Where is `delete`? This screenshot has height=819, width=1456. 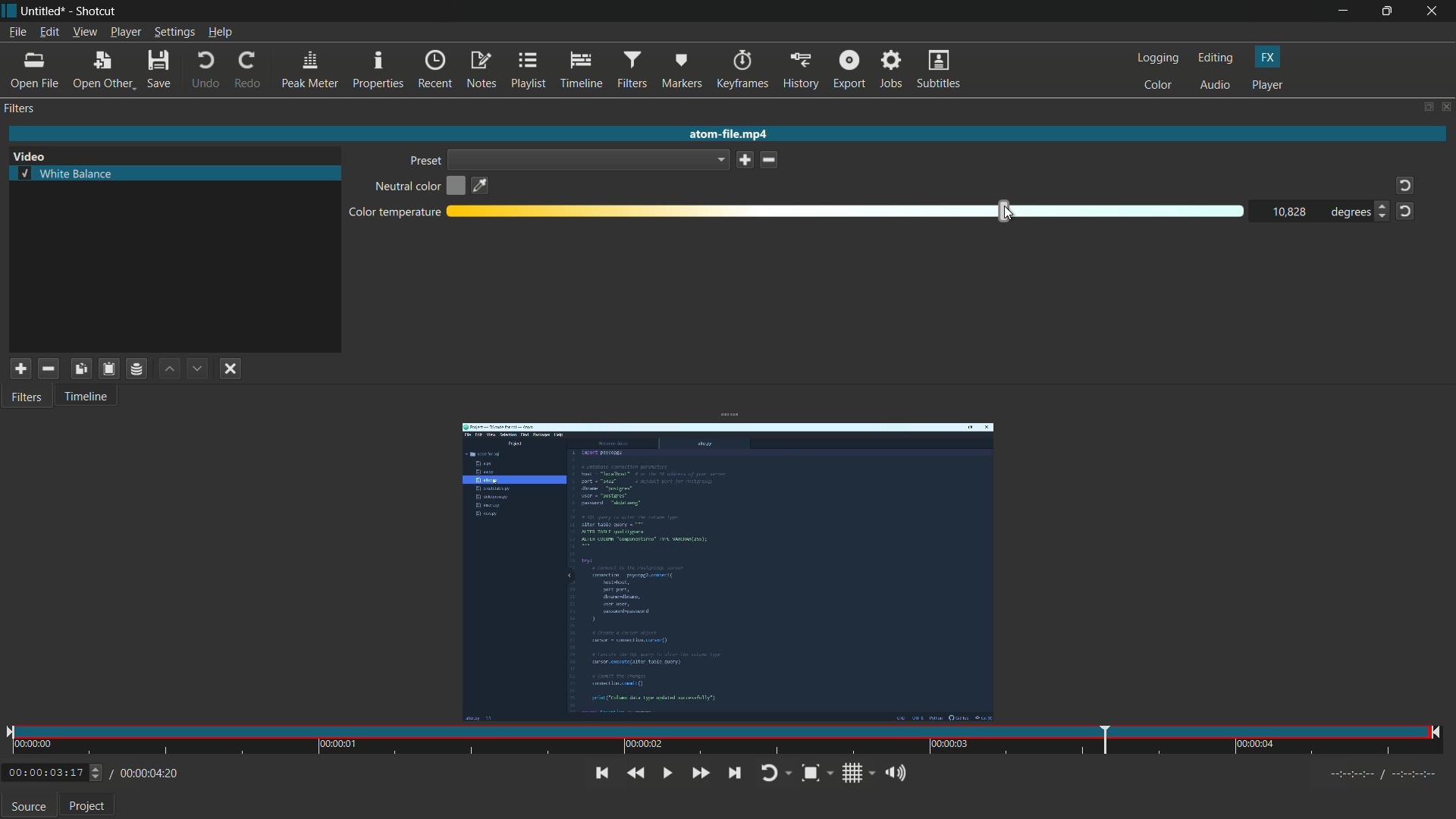 delete is located at coordinates (770, 160).